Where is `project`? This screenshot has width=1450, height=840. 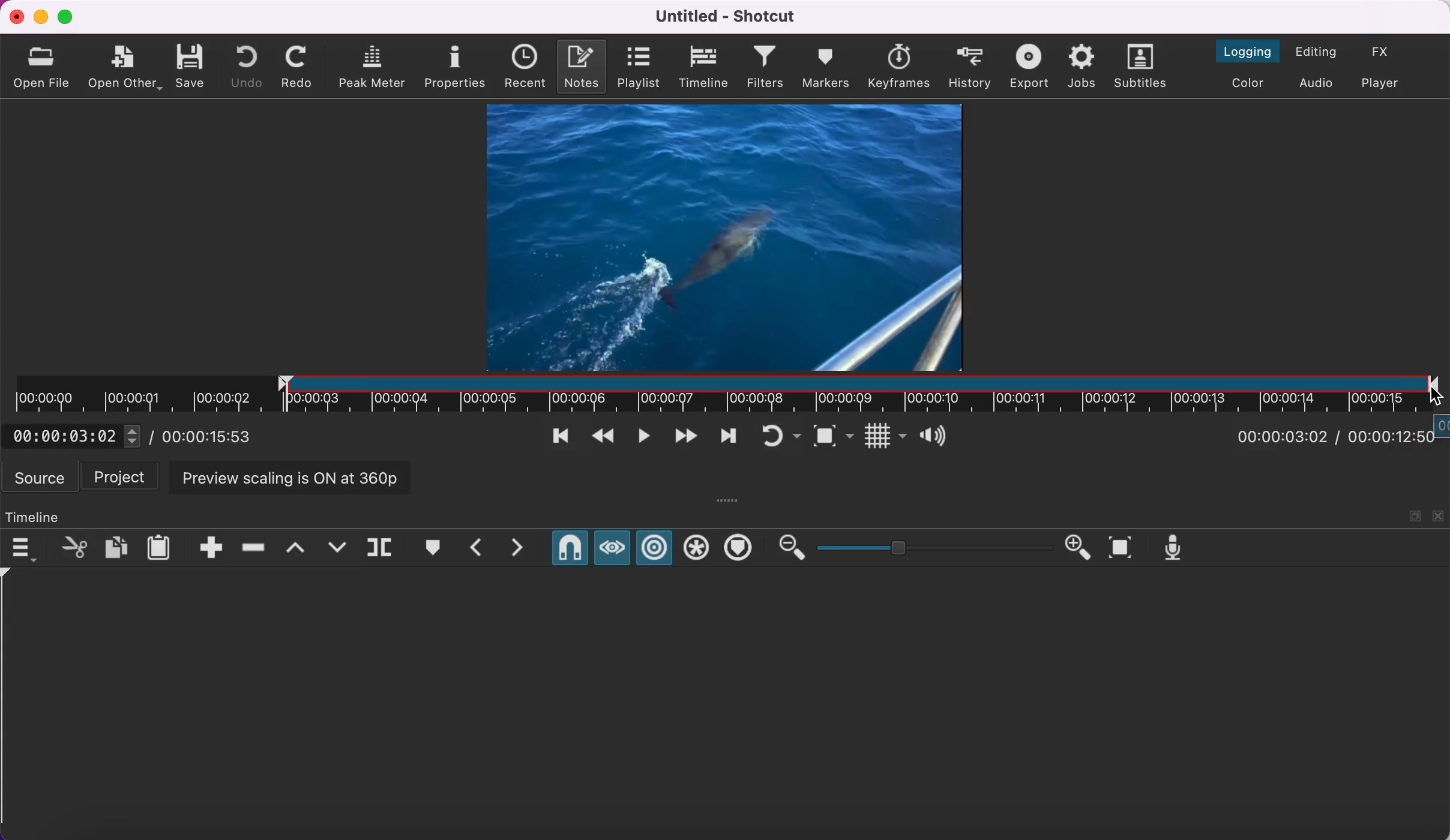
project is located at coordinates (121, 477).